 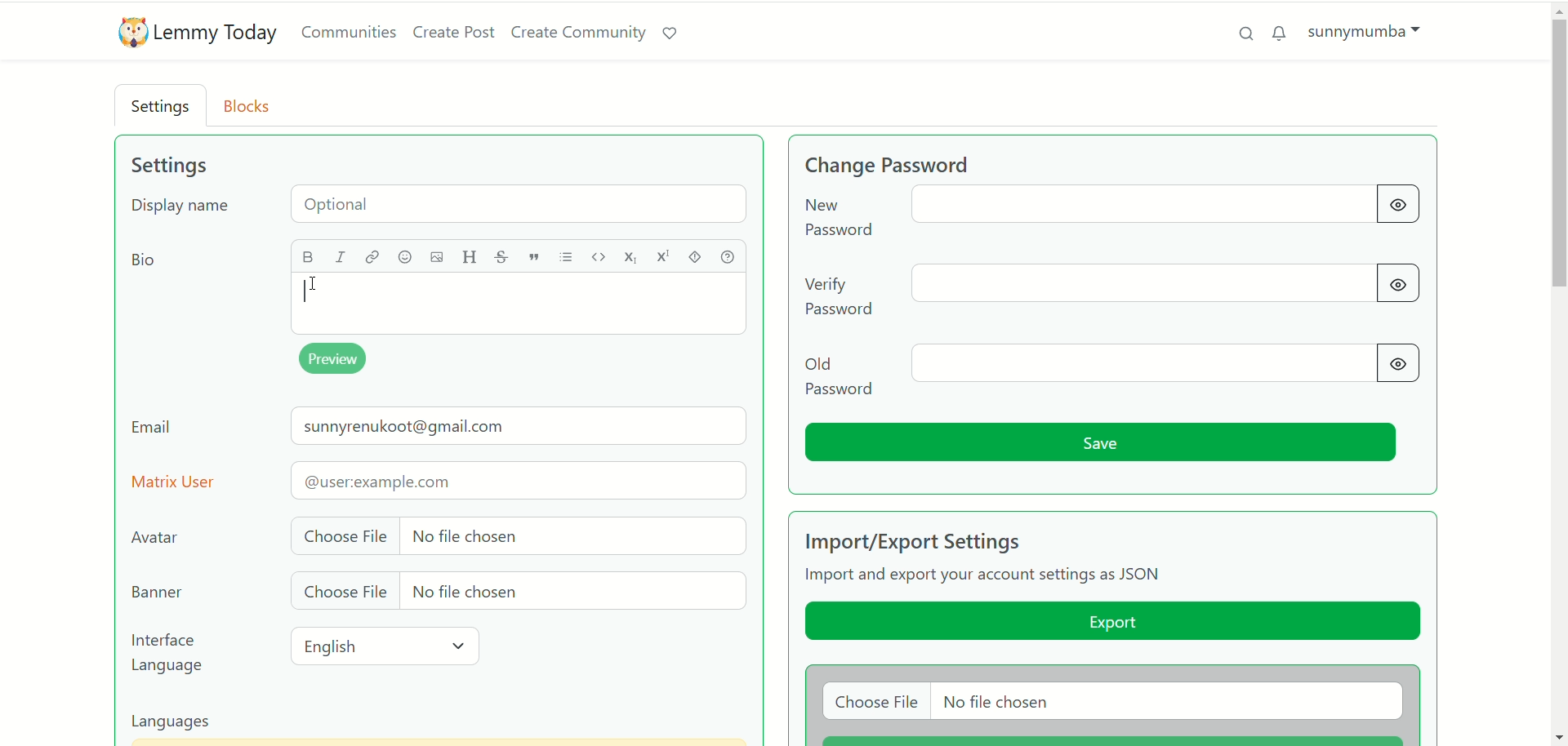 What do you see at coordinates (439, 480) in the screenshot?
I see `matrix user` at bounding box center [439, 480].